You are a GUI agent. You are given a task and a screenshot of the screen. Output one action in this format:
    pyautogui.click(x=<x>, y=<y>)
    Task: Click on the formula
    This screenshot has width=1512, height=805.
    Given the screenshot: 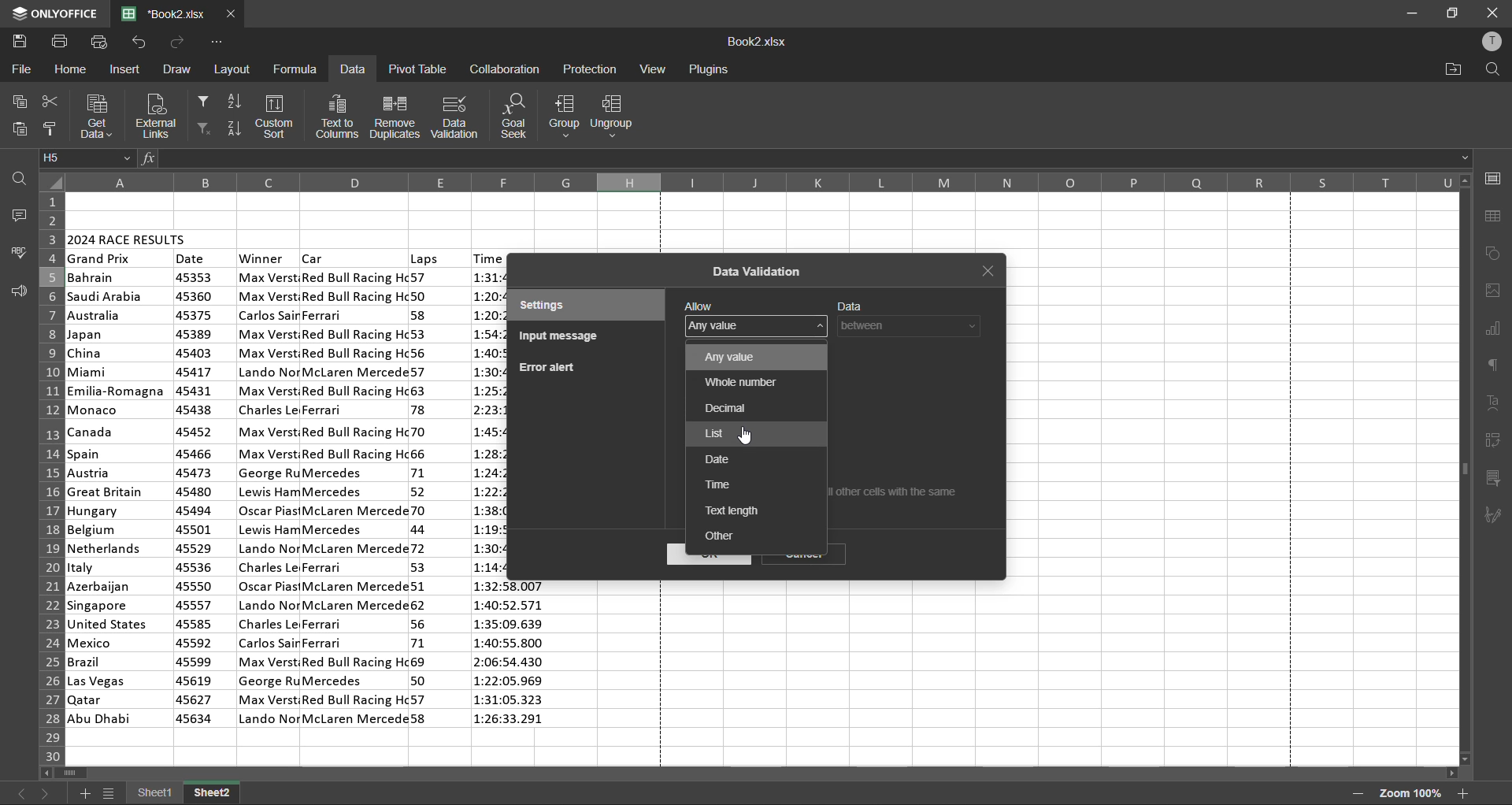 What is the action you would take?
    pyautogui.click(x=298, y=68)
    